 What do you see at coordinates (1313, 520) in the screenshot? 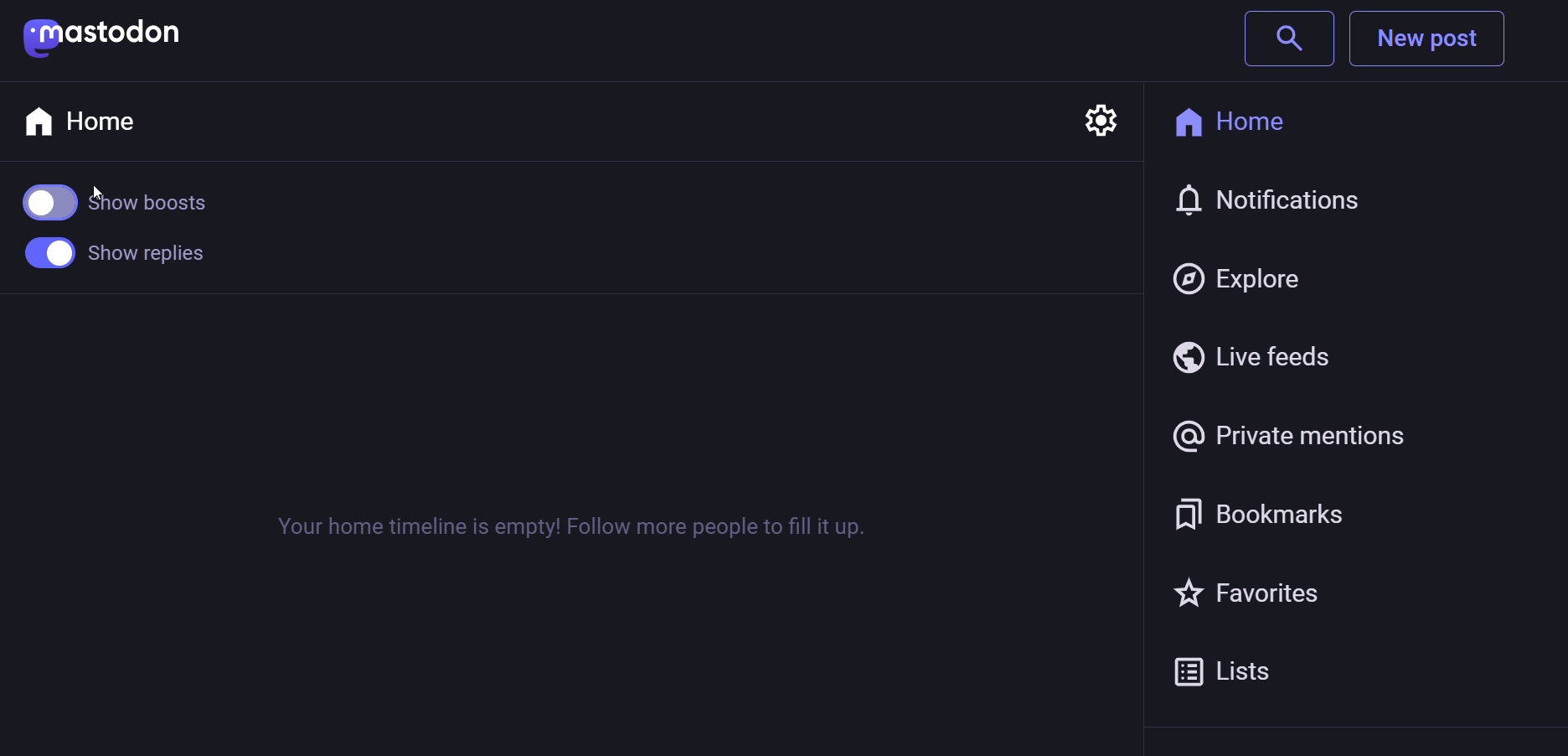
I see `Bookmark` at bounding box center [1313, 520].